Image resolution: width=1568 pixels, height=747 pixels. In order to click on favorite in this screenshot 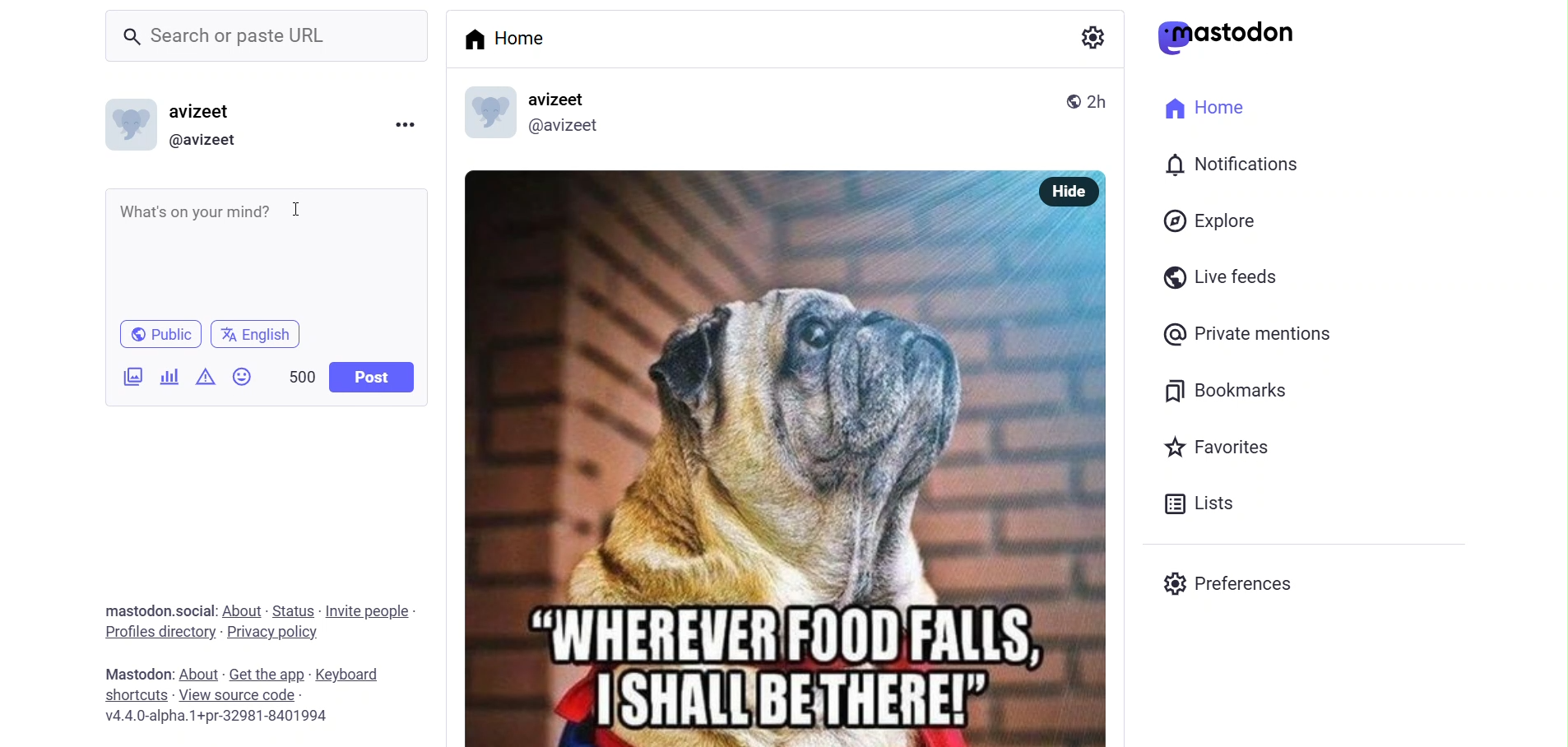, I will do `click(1221, 447)`.